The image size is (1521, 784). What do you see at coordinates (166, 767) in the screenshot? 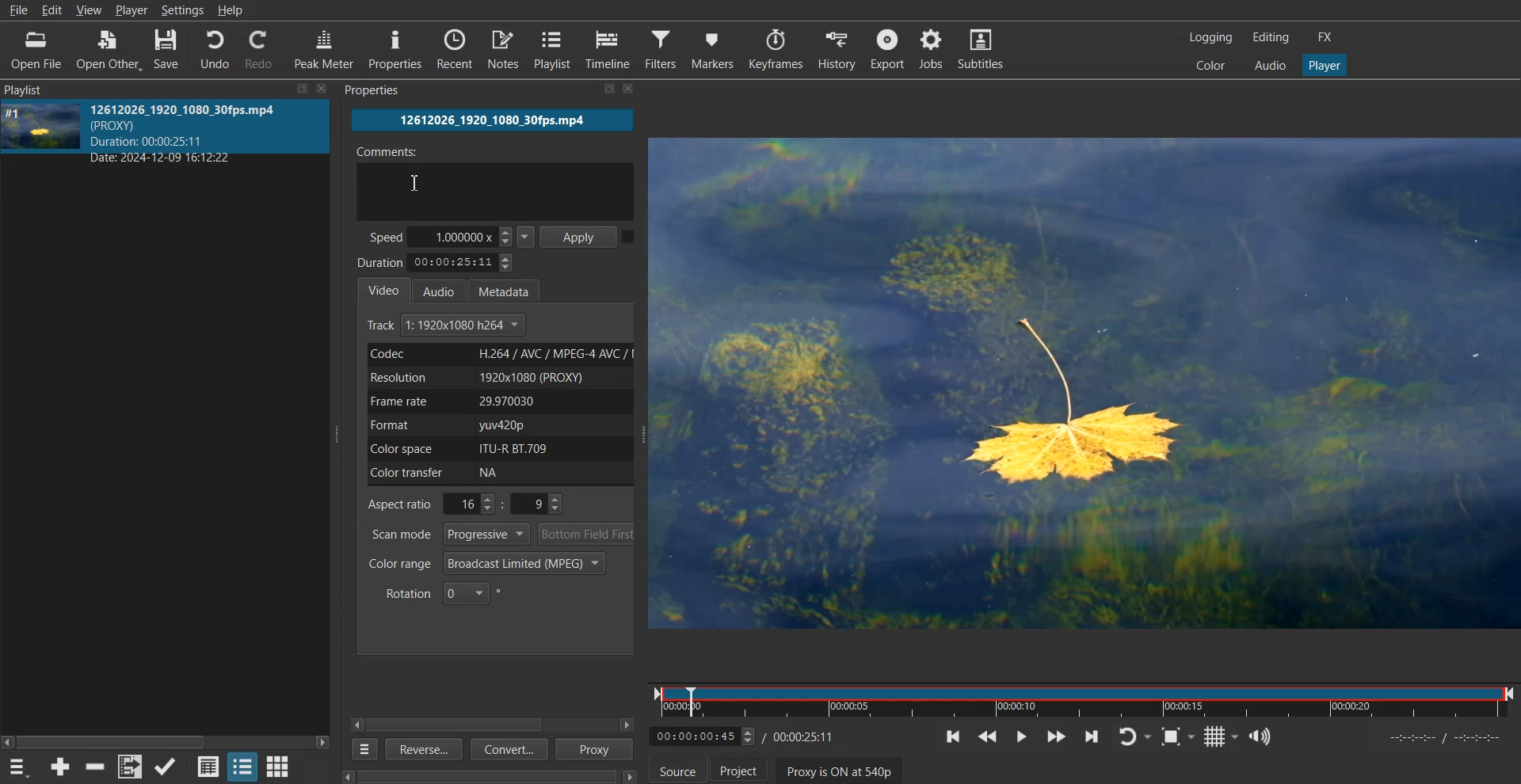
I see `Update` at bounding box center [166, 767].